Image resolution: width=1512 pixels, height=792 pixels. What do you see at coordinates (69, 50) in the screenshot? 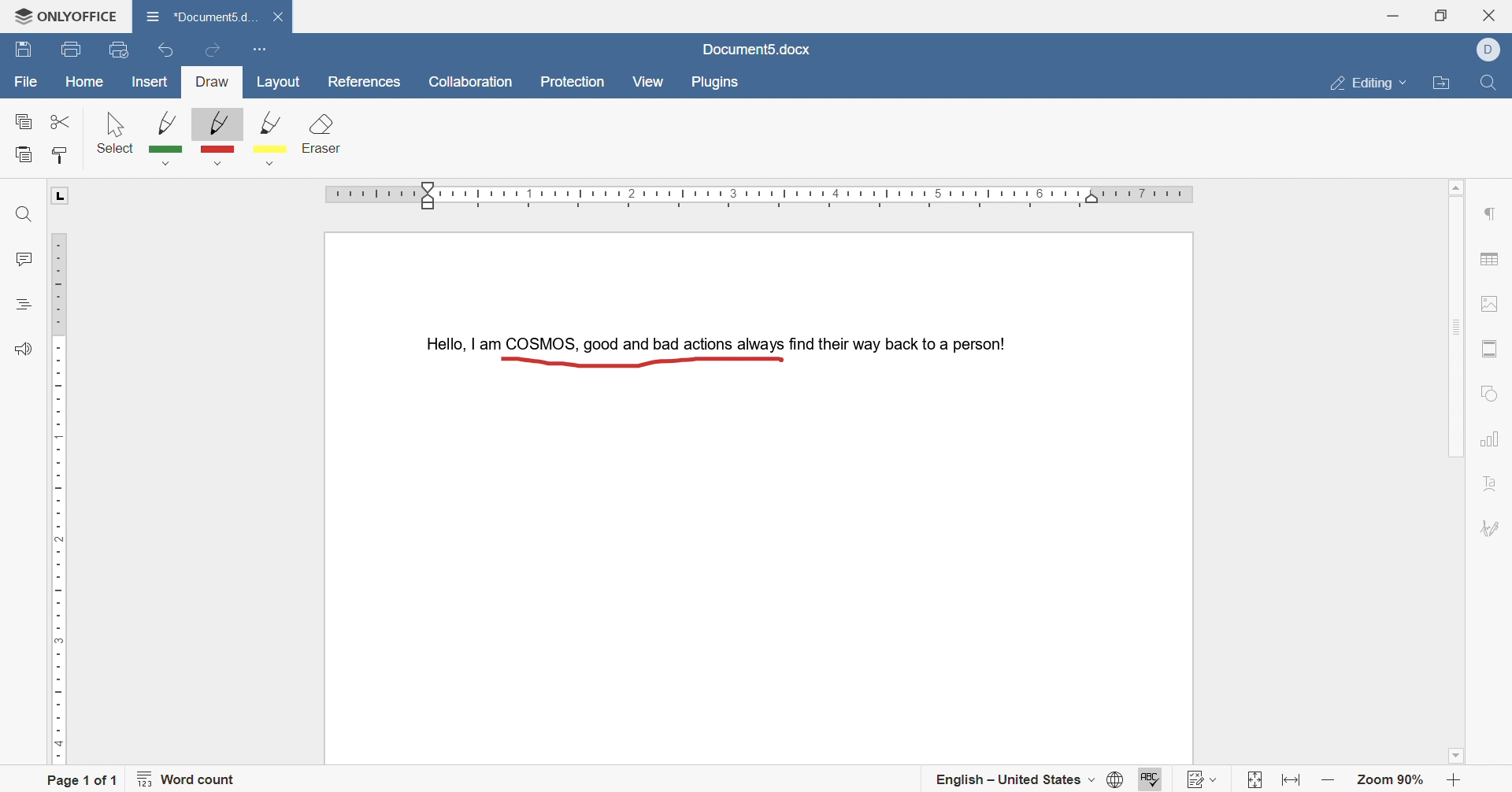
I see `print` at bounding box center [69, 50].